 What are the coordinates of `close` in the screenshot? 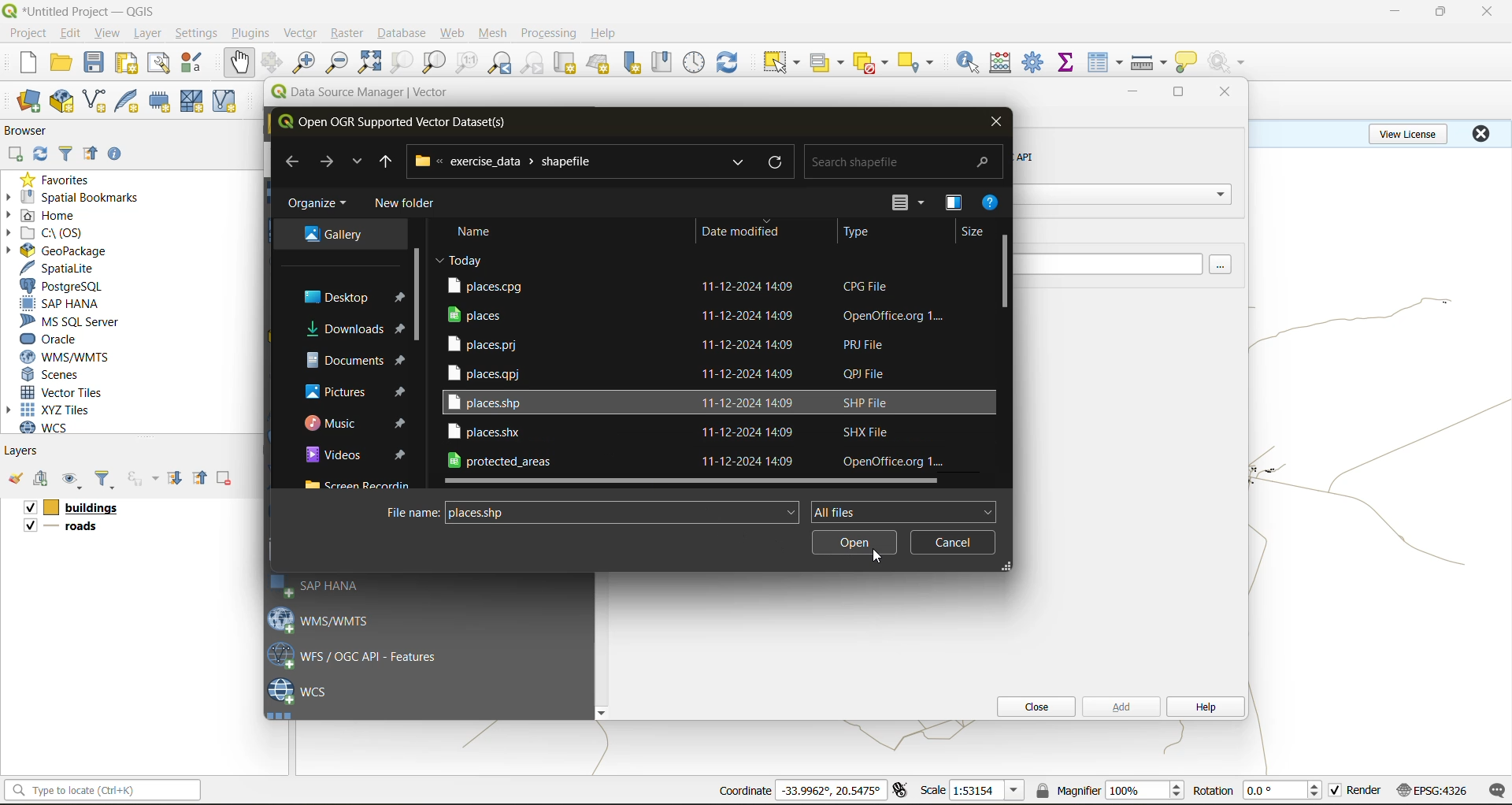 It's located at (1220, 93).